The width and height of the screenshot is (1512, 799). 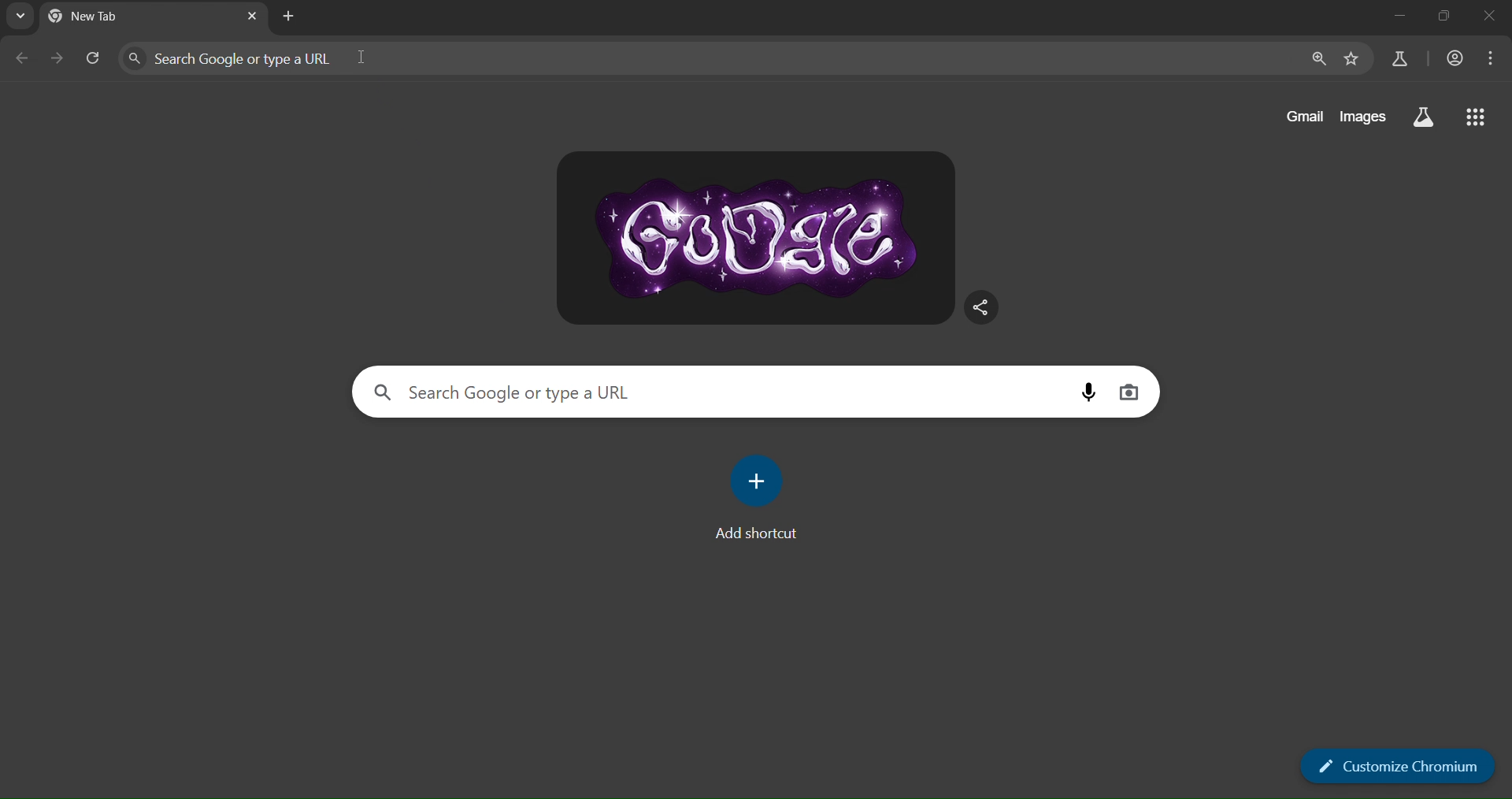 I want to click on image search, so click(x=1128, y=393).